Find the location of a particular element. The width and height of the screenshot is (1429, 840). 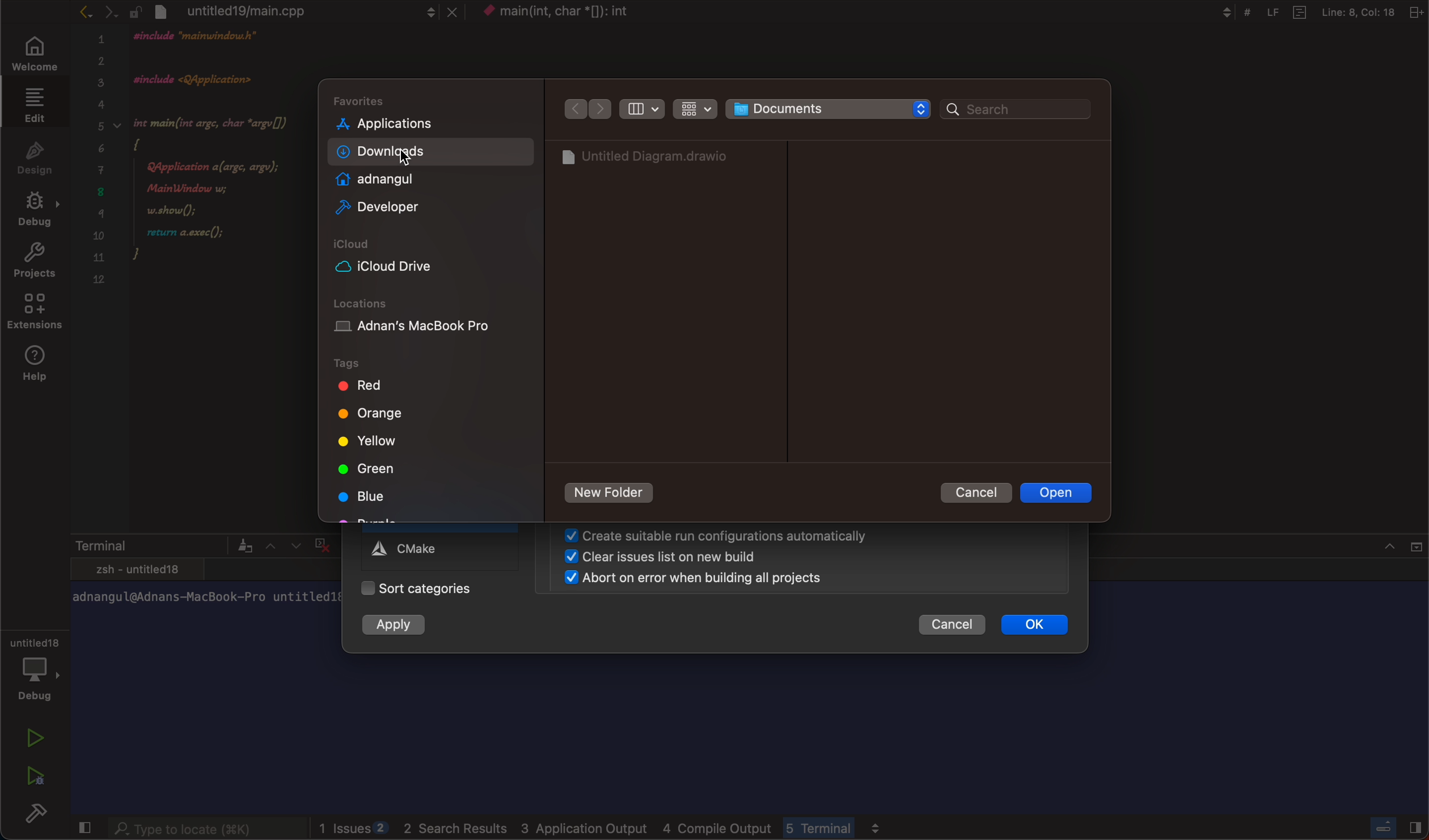

run is located at coordinates (35, 734).